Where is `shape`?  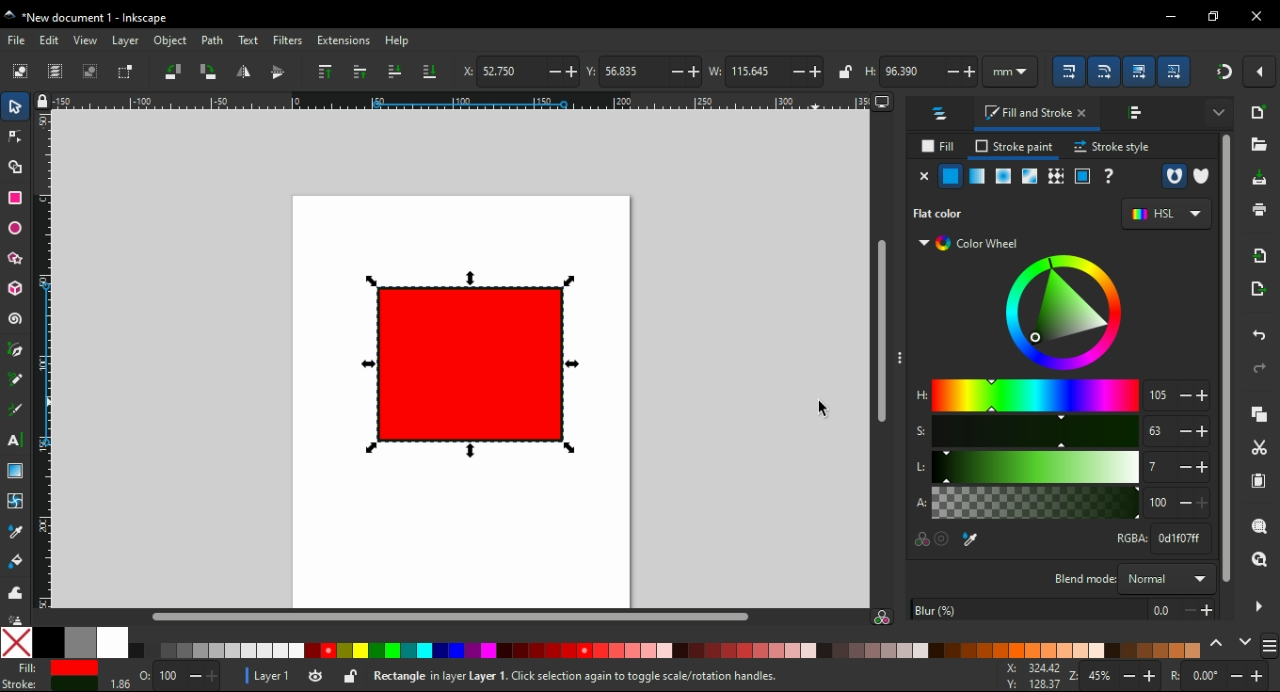
shape is located at coordinates (468, 363).